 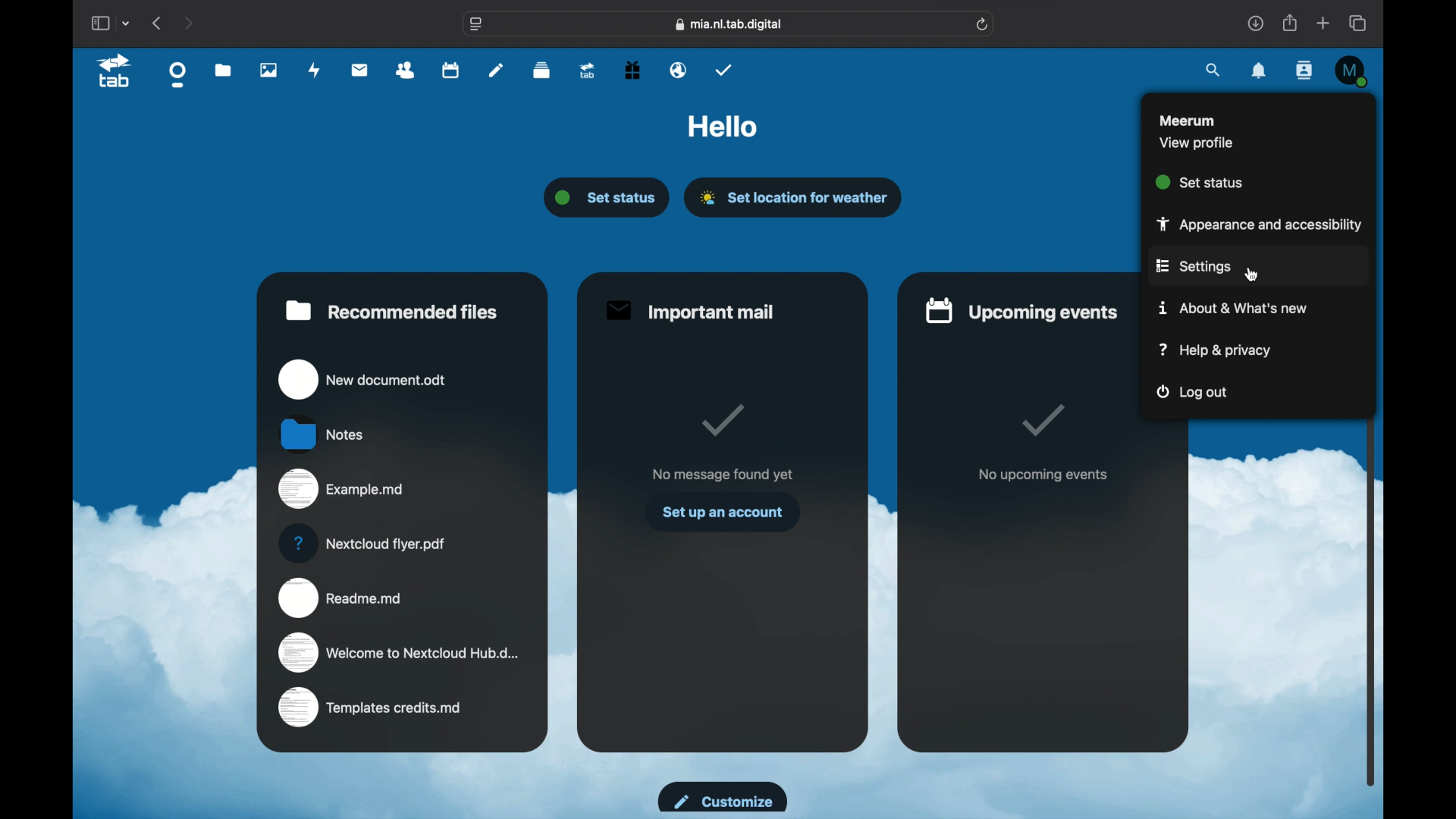 What do you see at coordinates (1351, 71) in the screenshot?
I see `M` at bounding box center [1351, 71].